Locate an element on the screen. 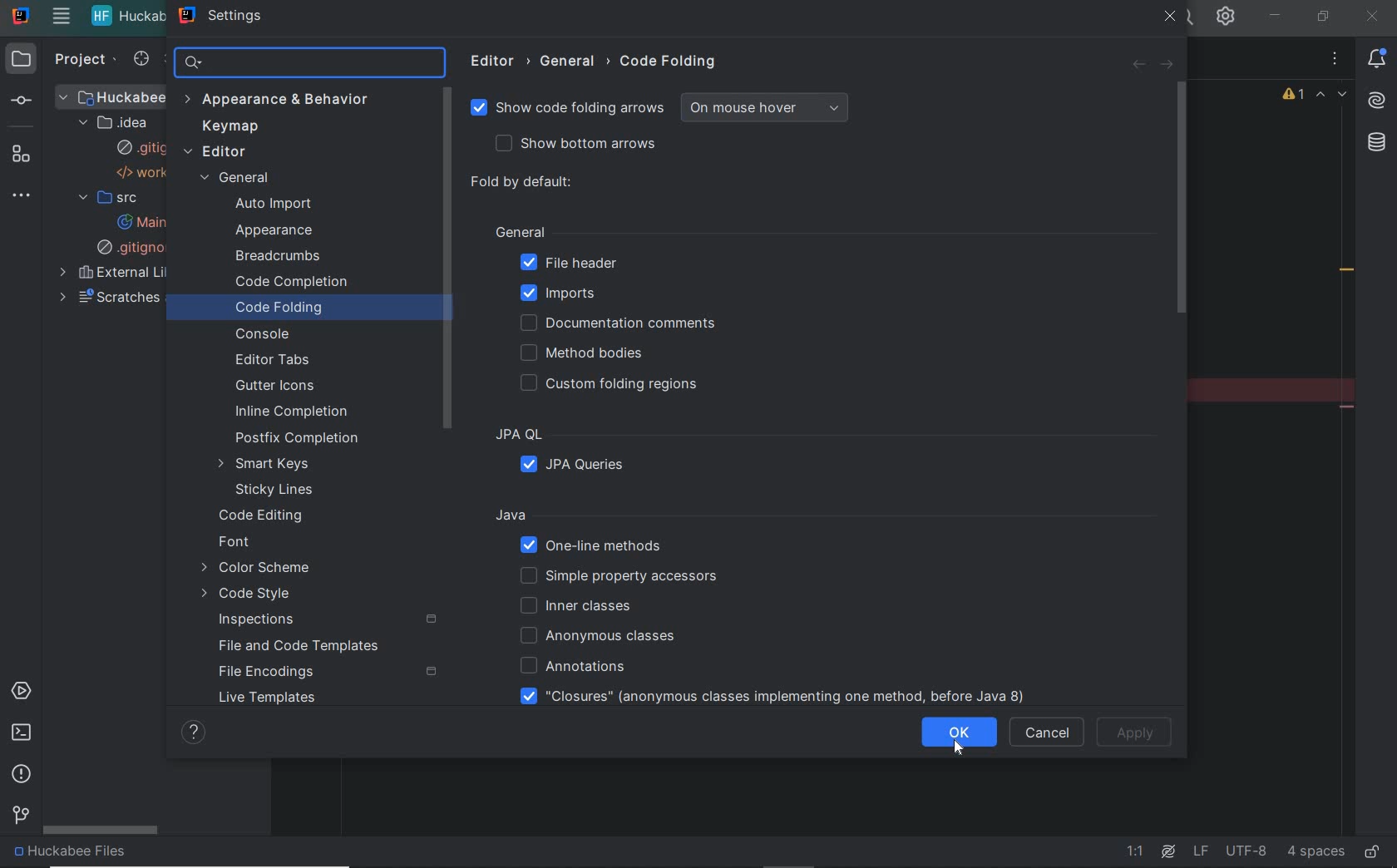 This screenshot has width=1397, height=868. commit is located at coordinates (30, 100).